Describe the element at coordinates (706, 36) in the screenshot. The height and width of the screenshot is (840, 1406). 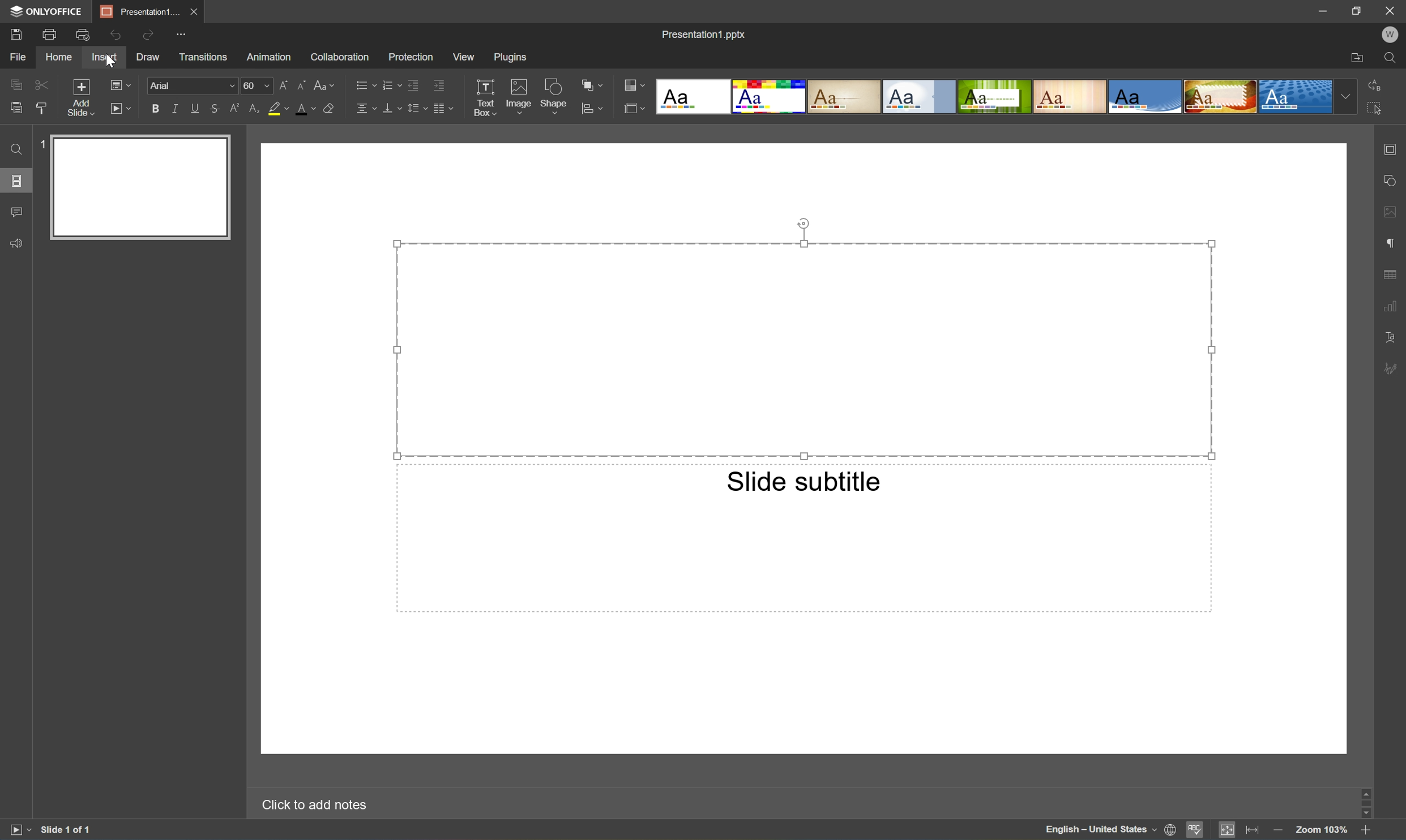
I see `Presentation1.pptx` at that location.